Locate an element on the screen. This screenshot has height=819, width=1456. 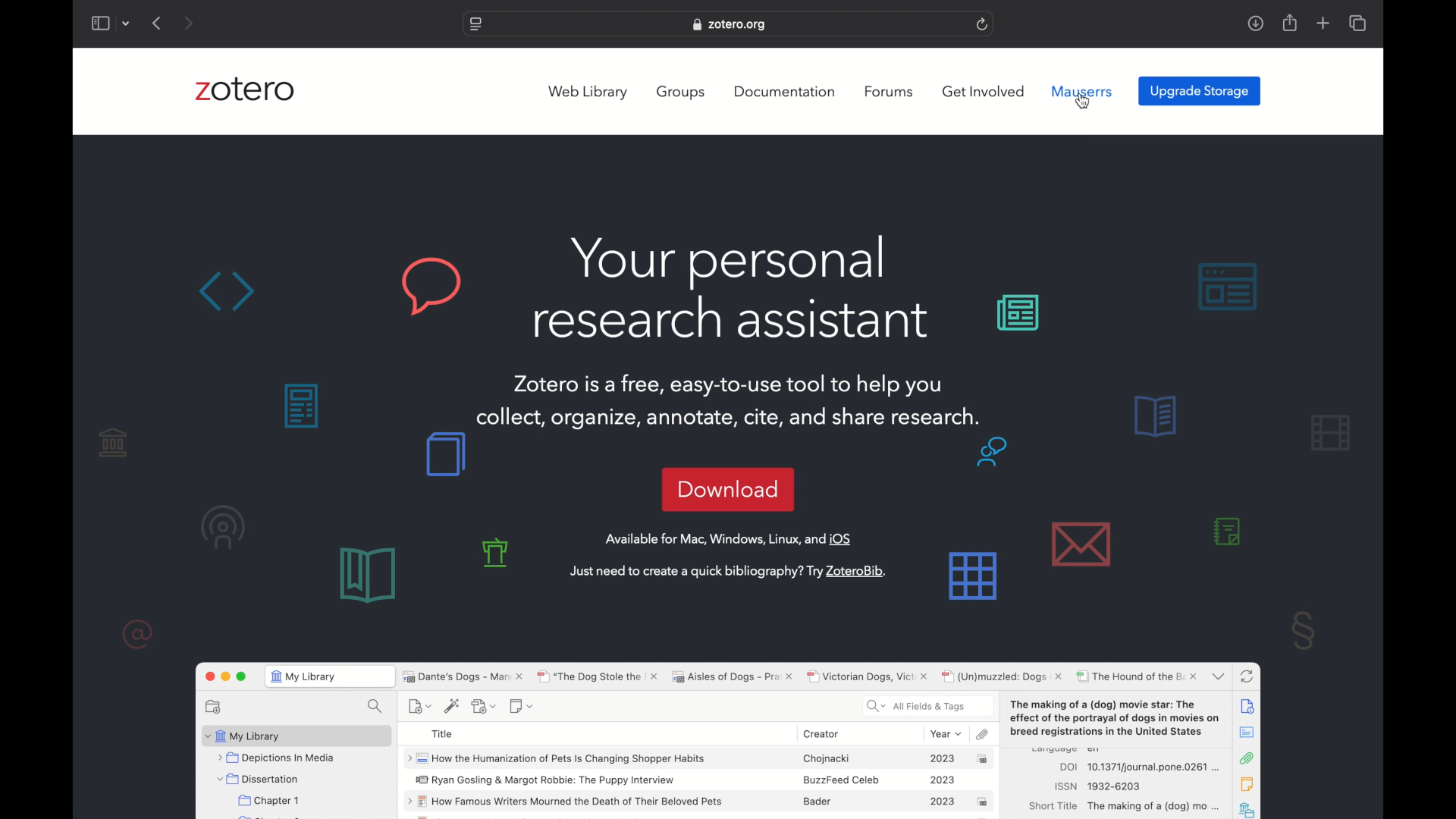
background graphics is located at coordinates (1005, 520).